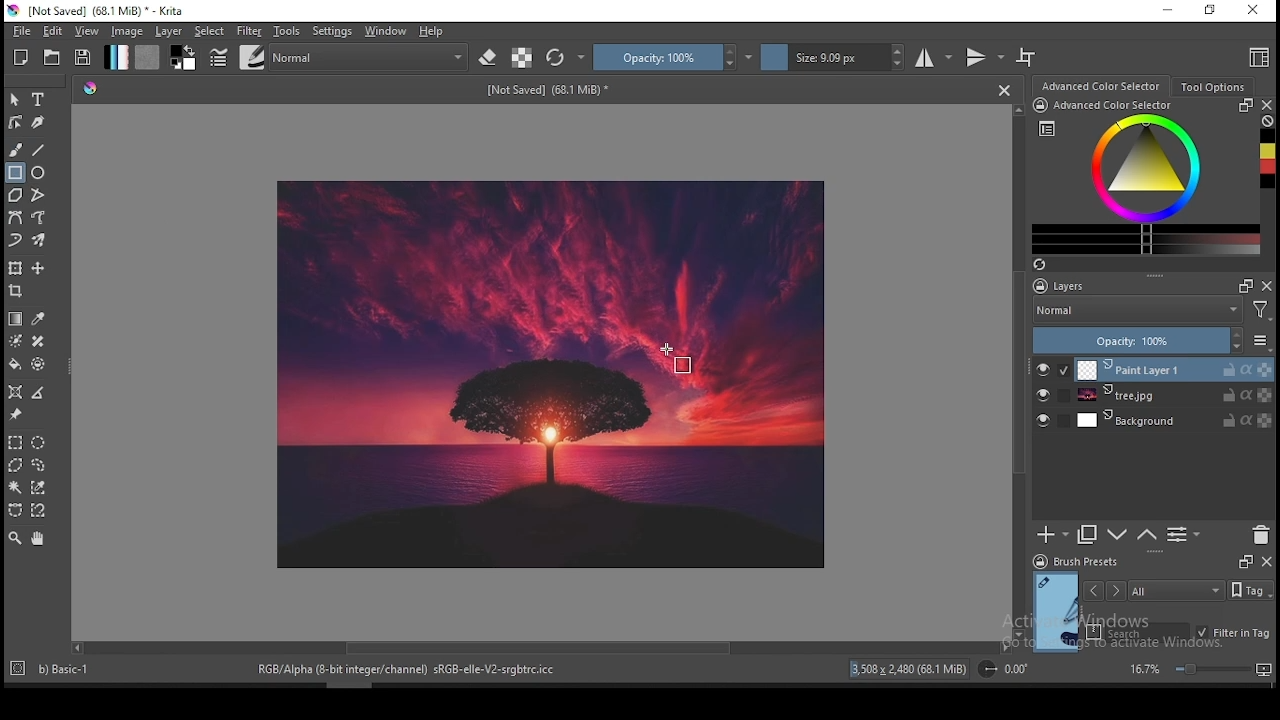 This screenshot has height=720, width=1280. What do you see at coordinates (249, 30) in the screenshot?
I see `filter` at bounding box center [249, 30].